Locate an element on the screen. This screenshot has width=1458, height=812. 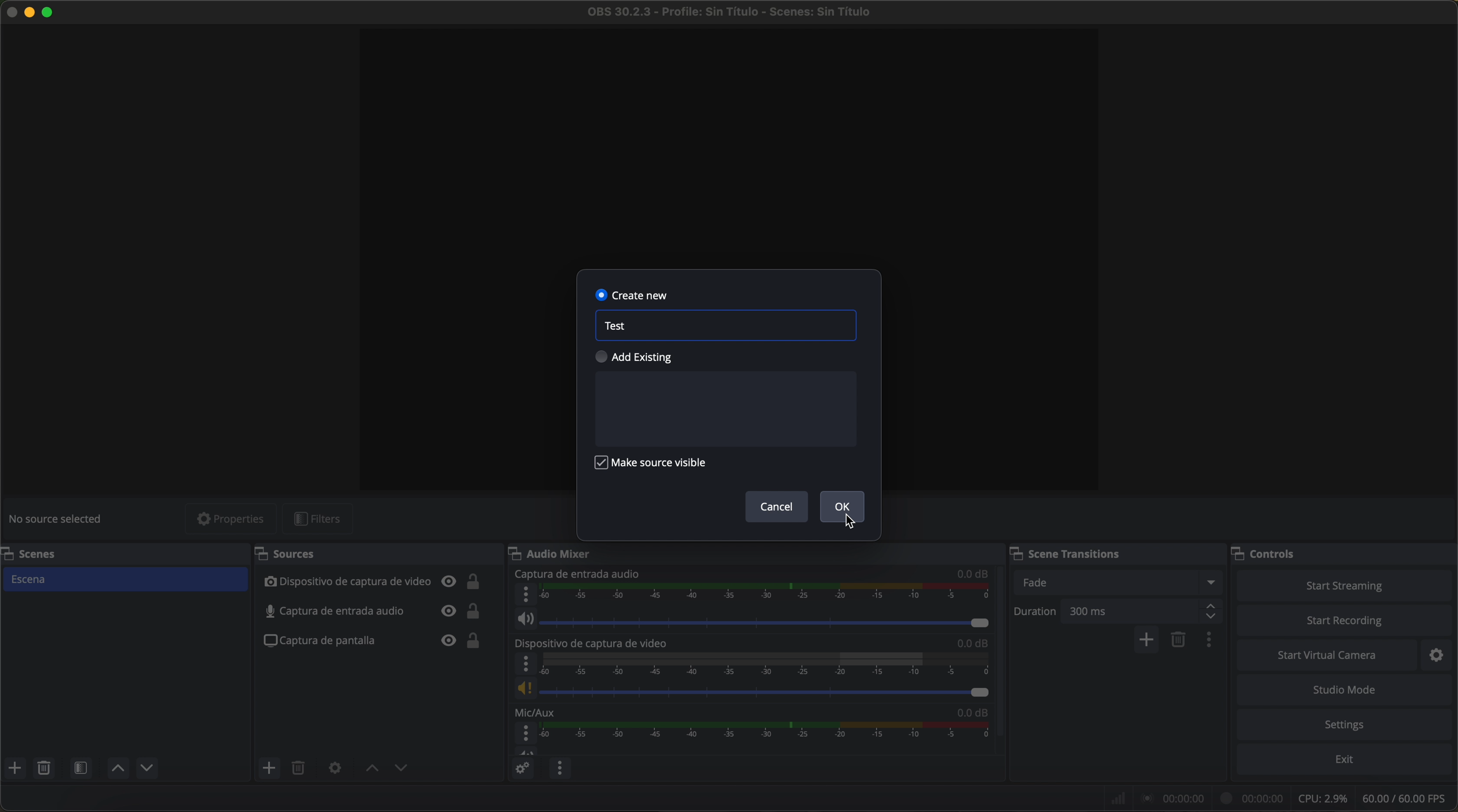
move scene up is located at coordinates (118, 769).